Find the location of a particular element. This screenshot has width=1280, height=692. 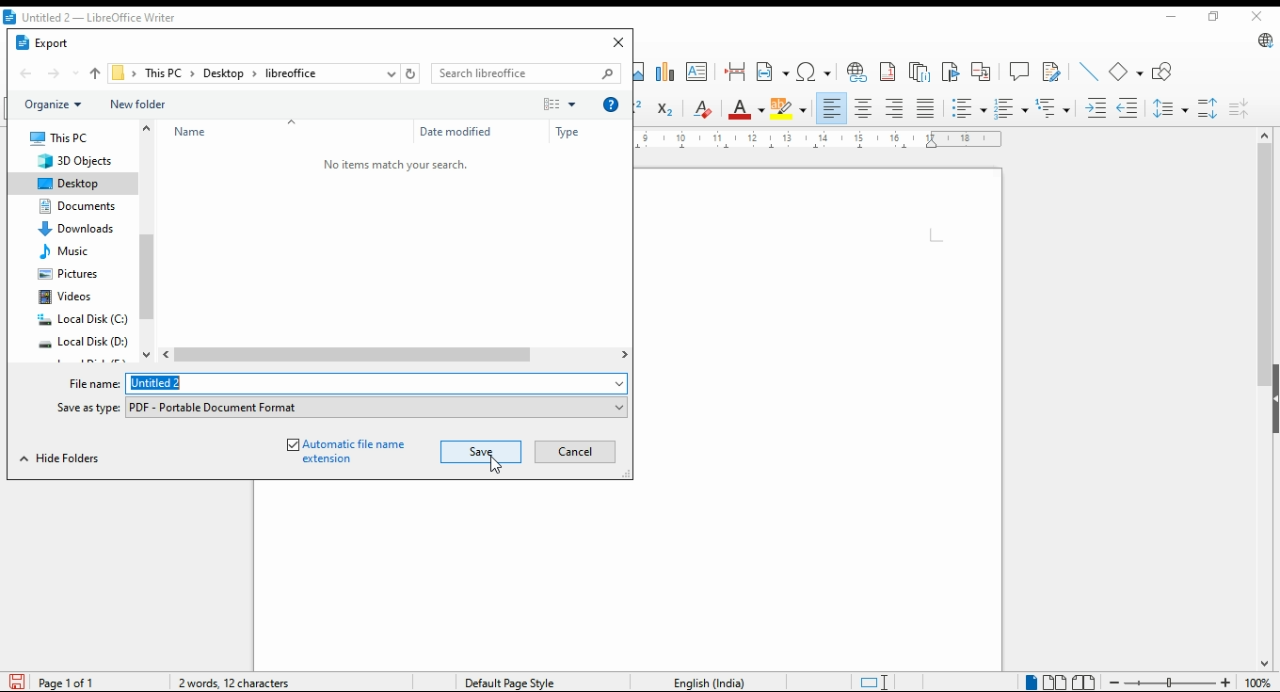

book view is located at coordinates (1082, 683).